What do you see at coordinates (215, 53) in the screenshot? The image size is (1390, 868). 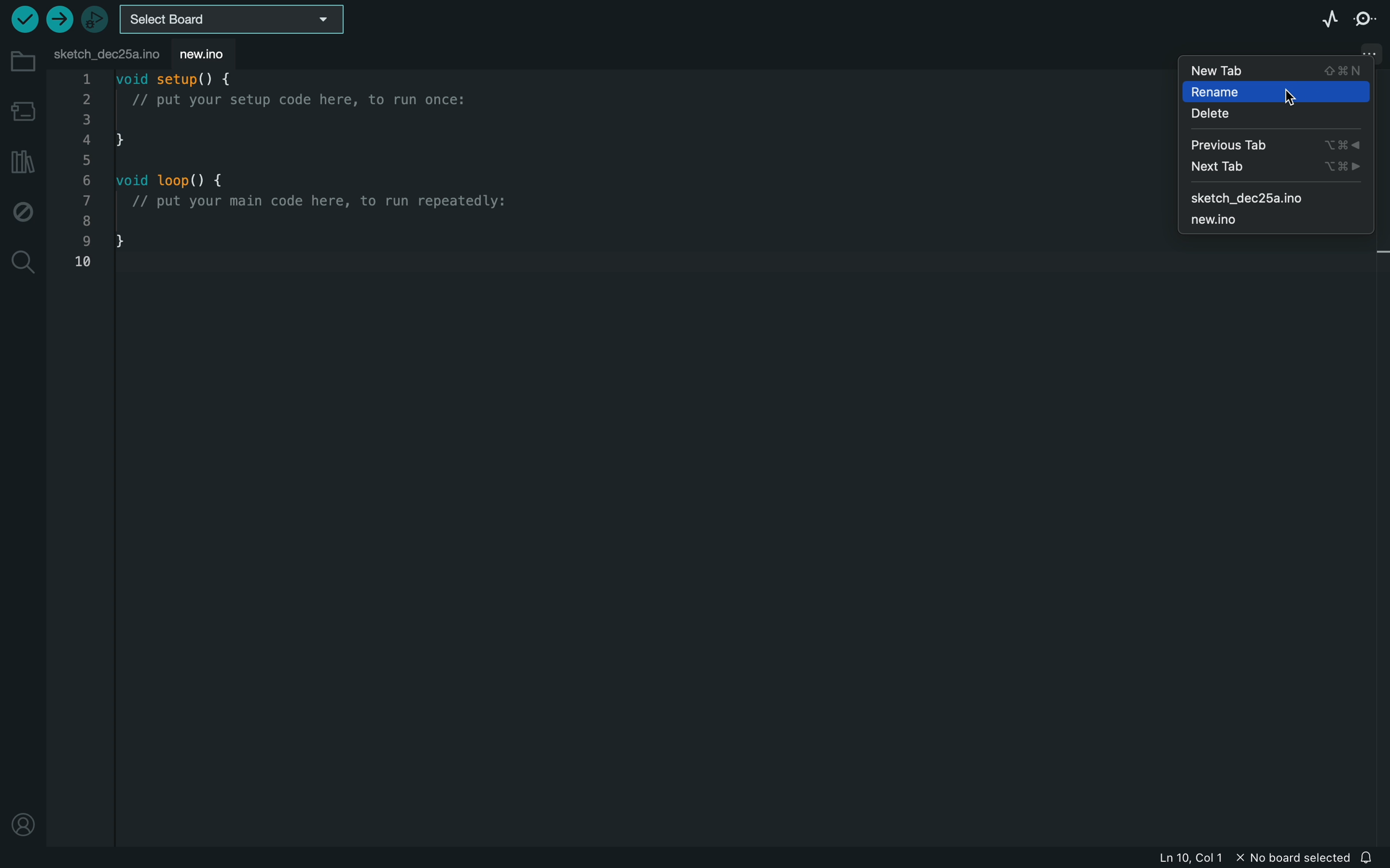 I see `new` at bounding box center [215, 53].